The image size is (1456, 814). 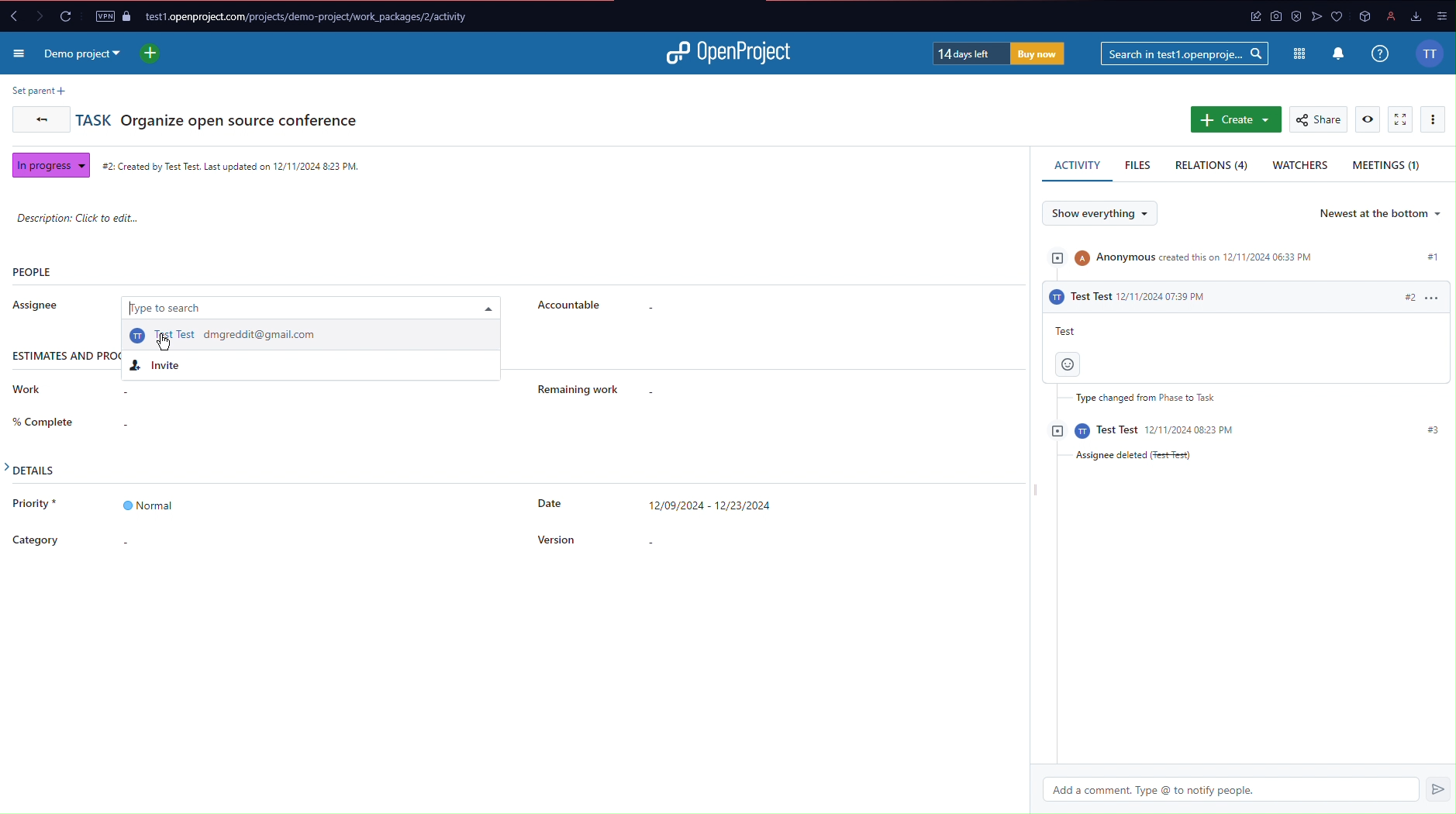 I want to click on app icon, so click(x=1313, y=16).